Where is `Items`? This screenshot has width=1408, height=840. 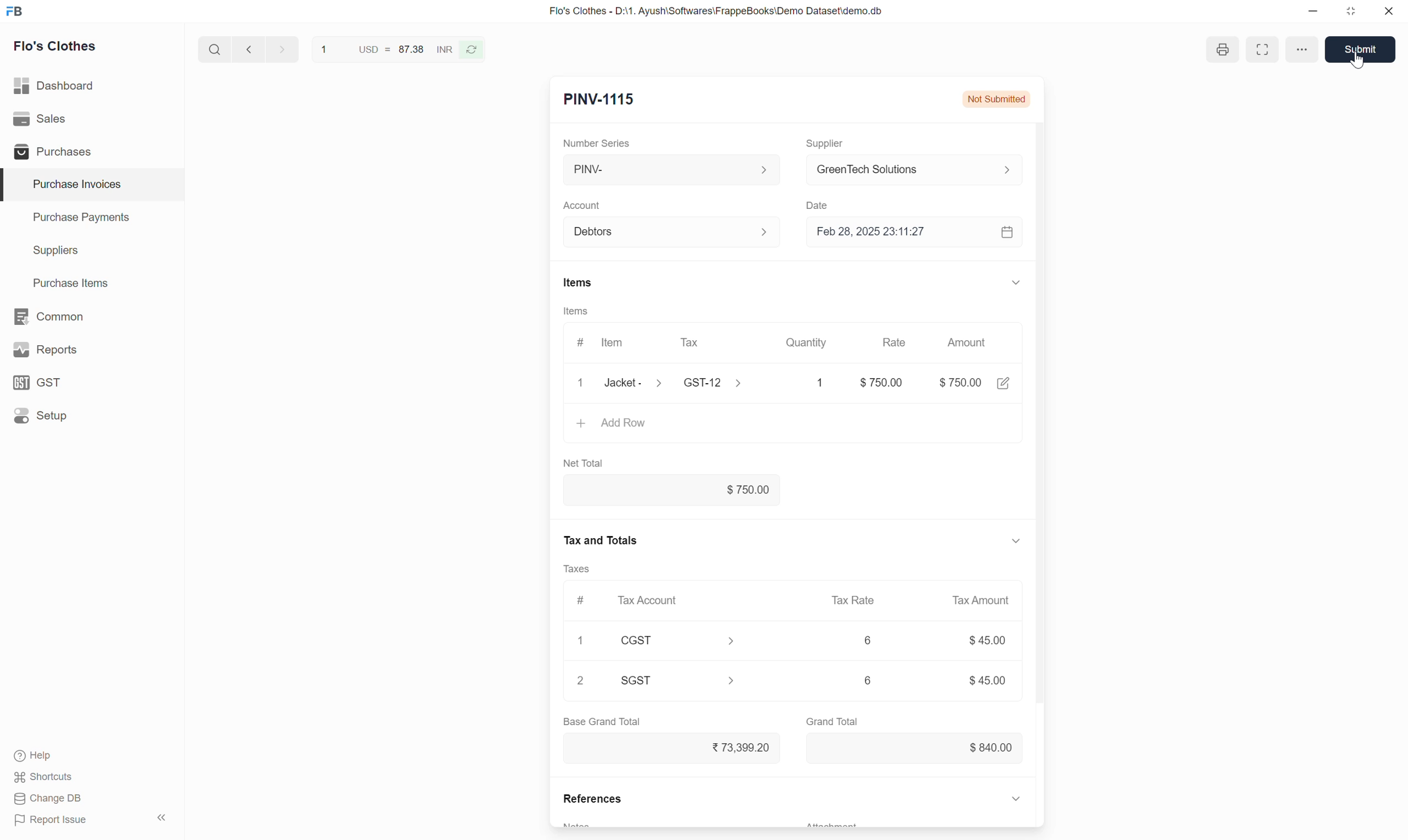 Items is located at coordinates (579, 282).